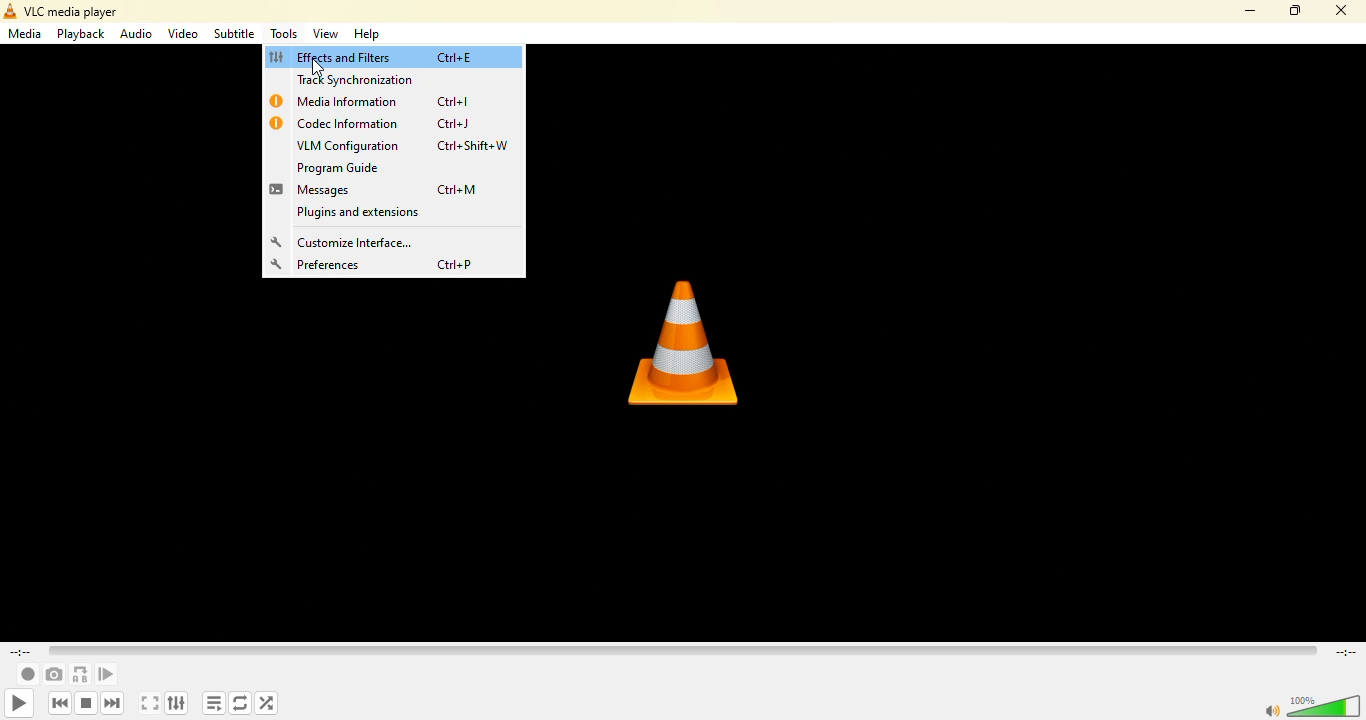 The image size is (1366, 720). Describe the element at coordinates (681, 349) in the screenshot. I see `vlc logo` at that location.